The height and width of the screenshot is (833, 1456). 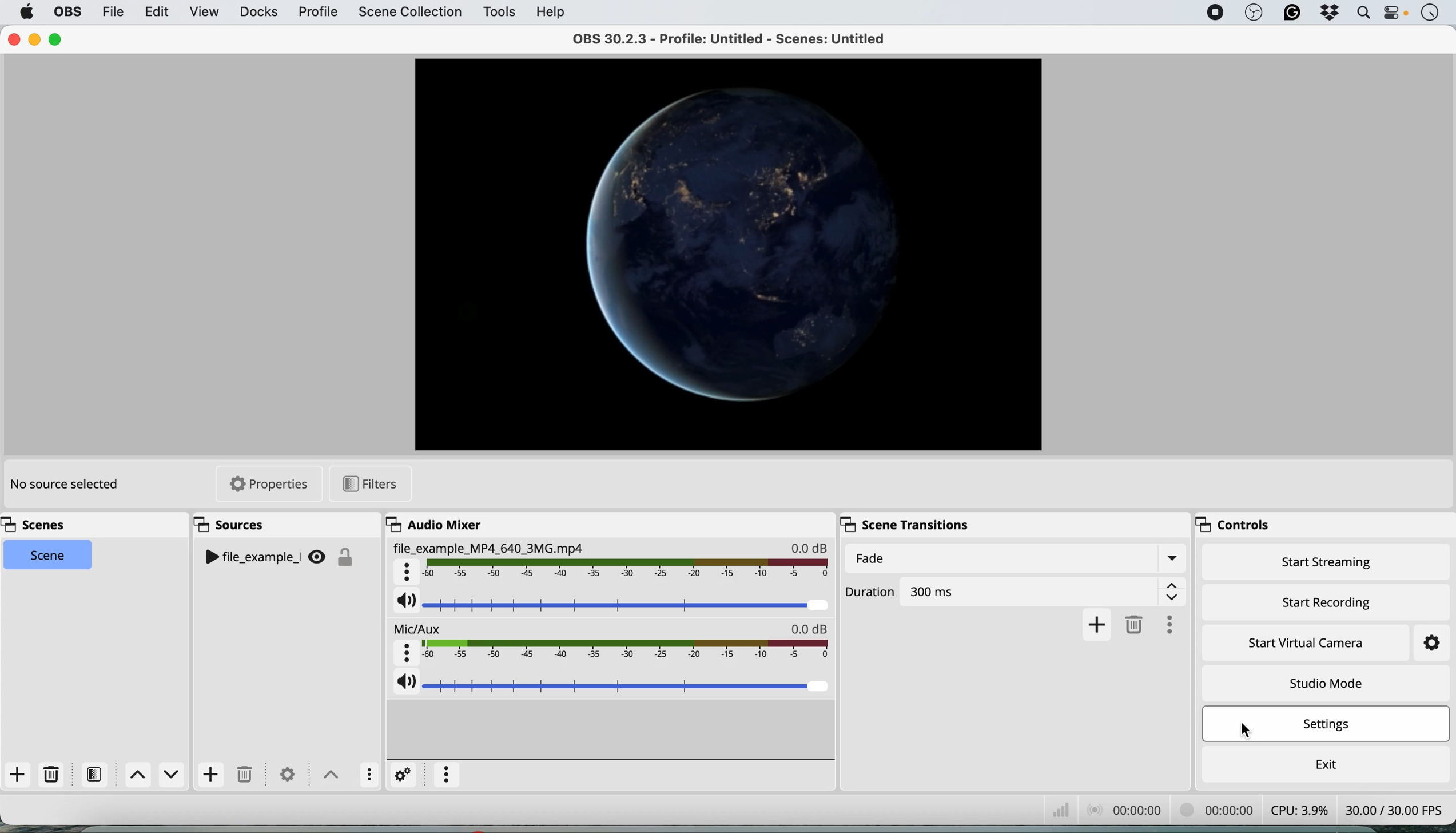 I want to click on add source, so click(x=209, y=776).